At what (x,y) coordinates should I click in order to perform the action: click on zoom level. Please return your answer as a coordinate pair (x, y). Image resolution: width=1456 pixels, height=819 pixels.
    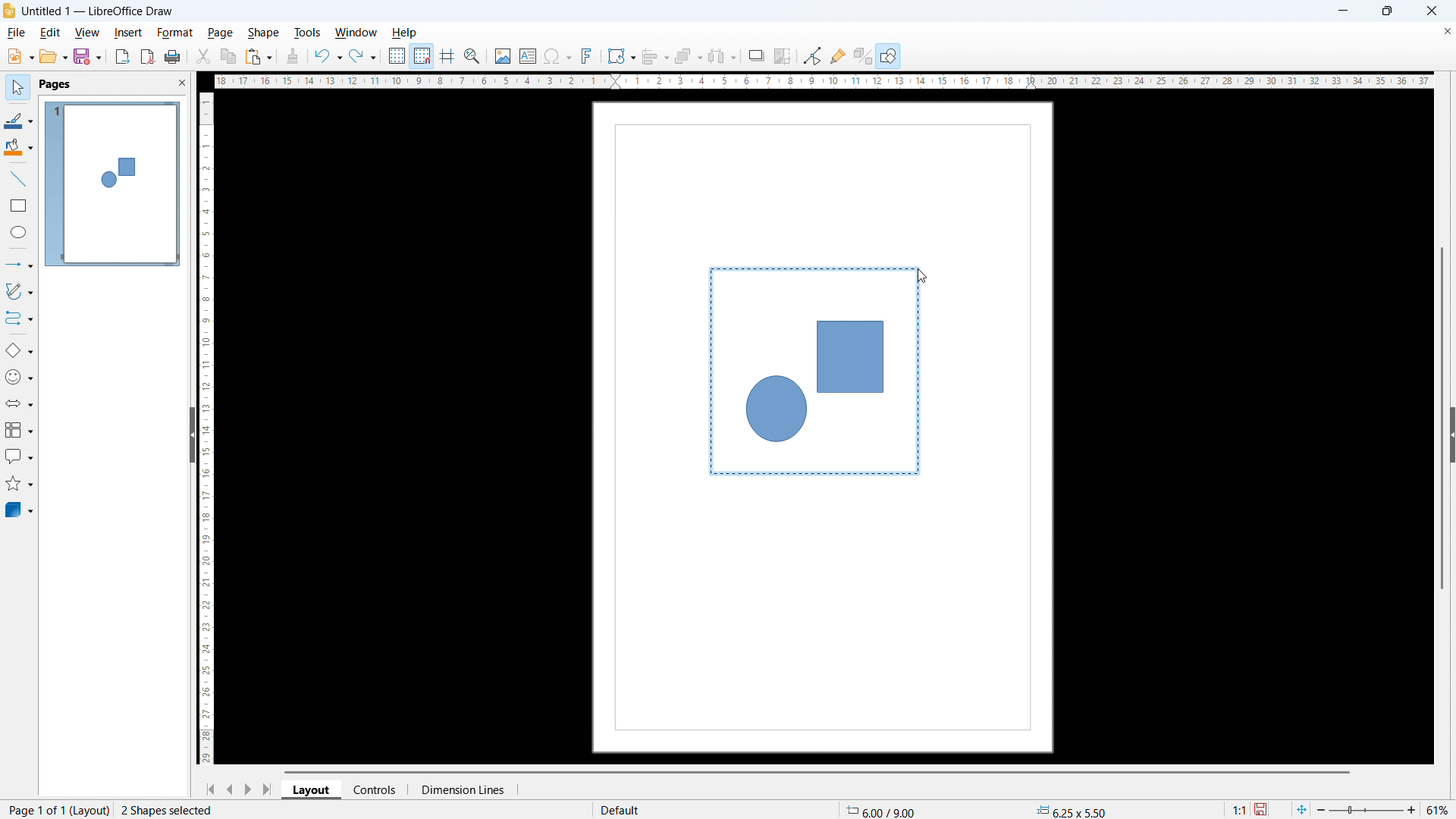
    Looking at the image, I should click on (1439, 809).